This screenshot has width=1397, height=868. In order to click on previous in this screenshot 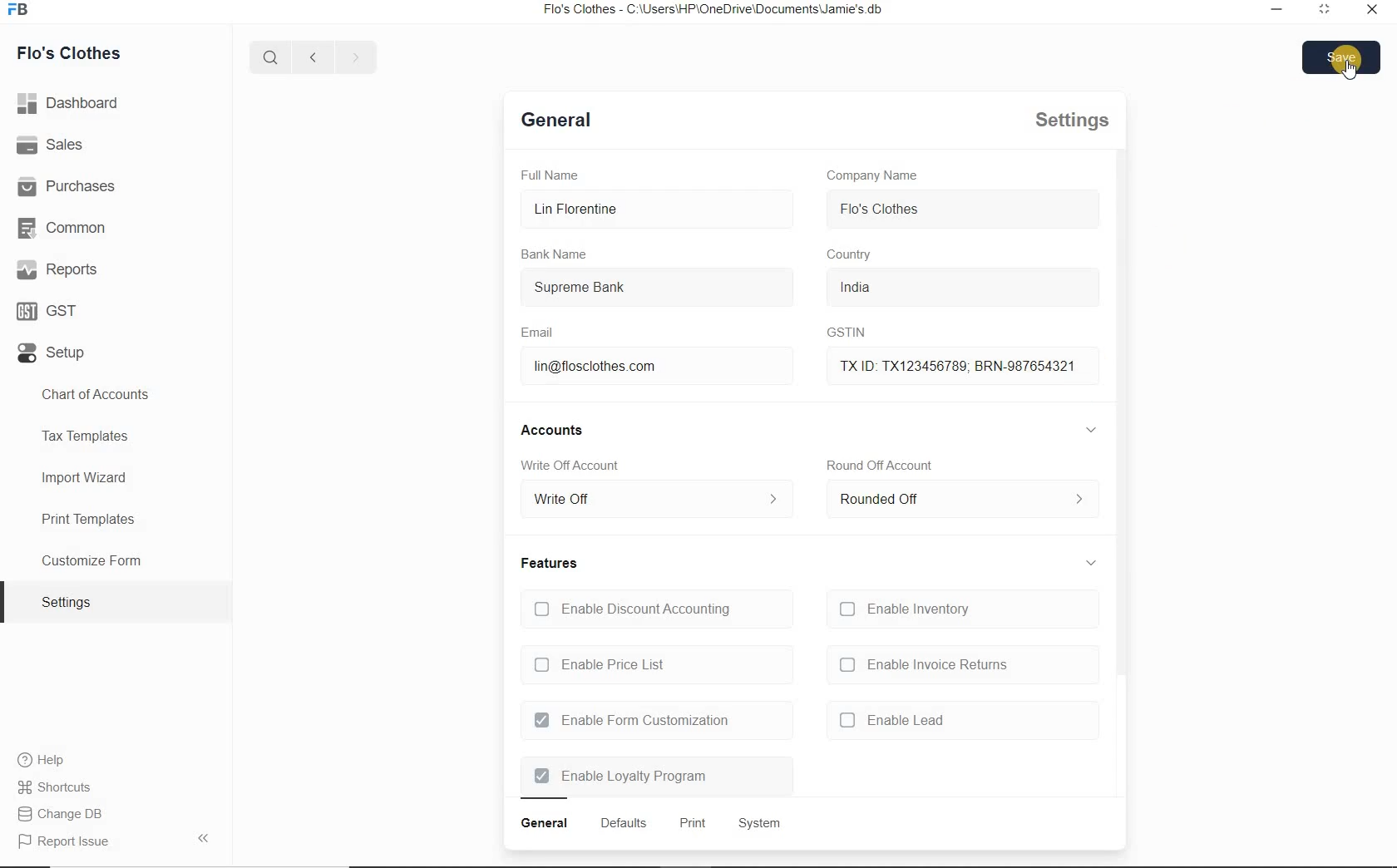, I will do `click(311, 57)`.